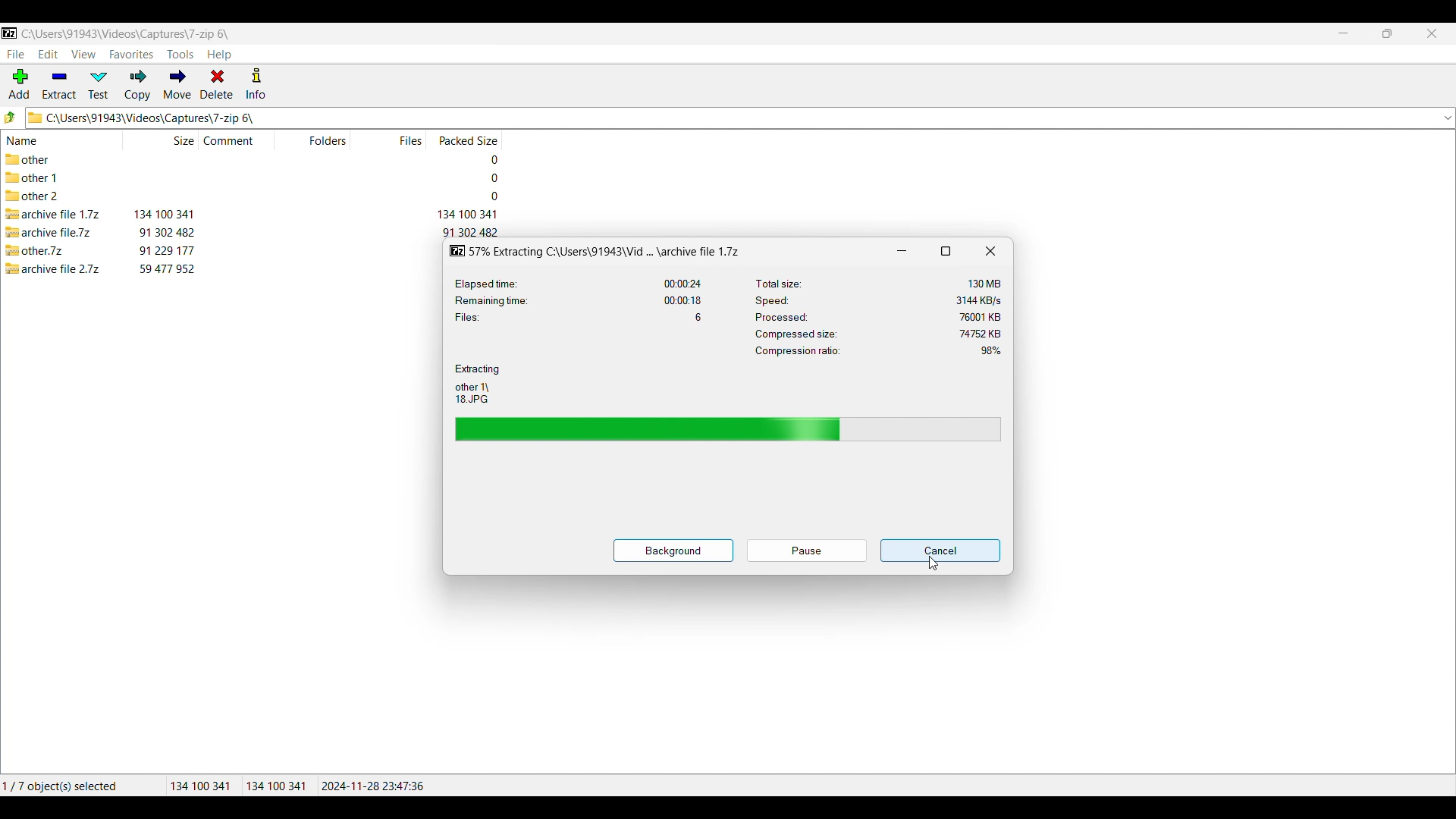 The width and height of the screenshot is (1456, 819). Describe the element at coordinates (902, 250) in the screenshot. I see `Minimize window` at that location.